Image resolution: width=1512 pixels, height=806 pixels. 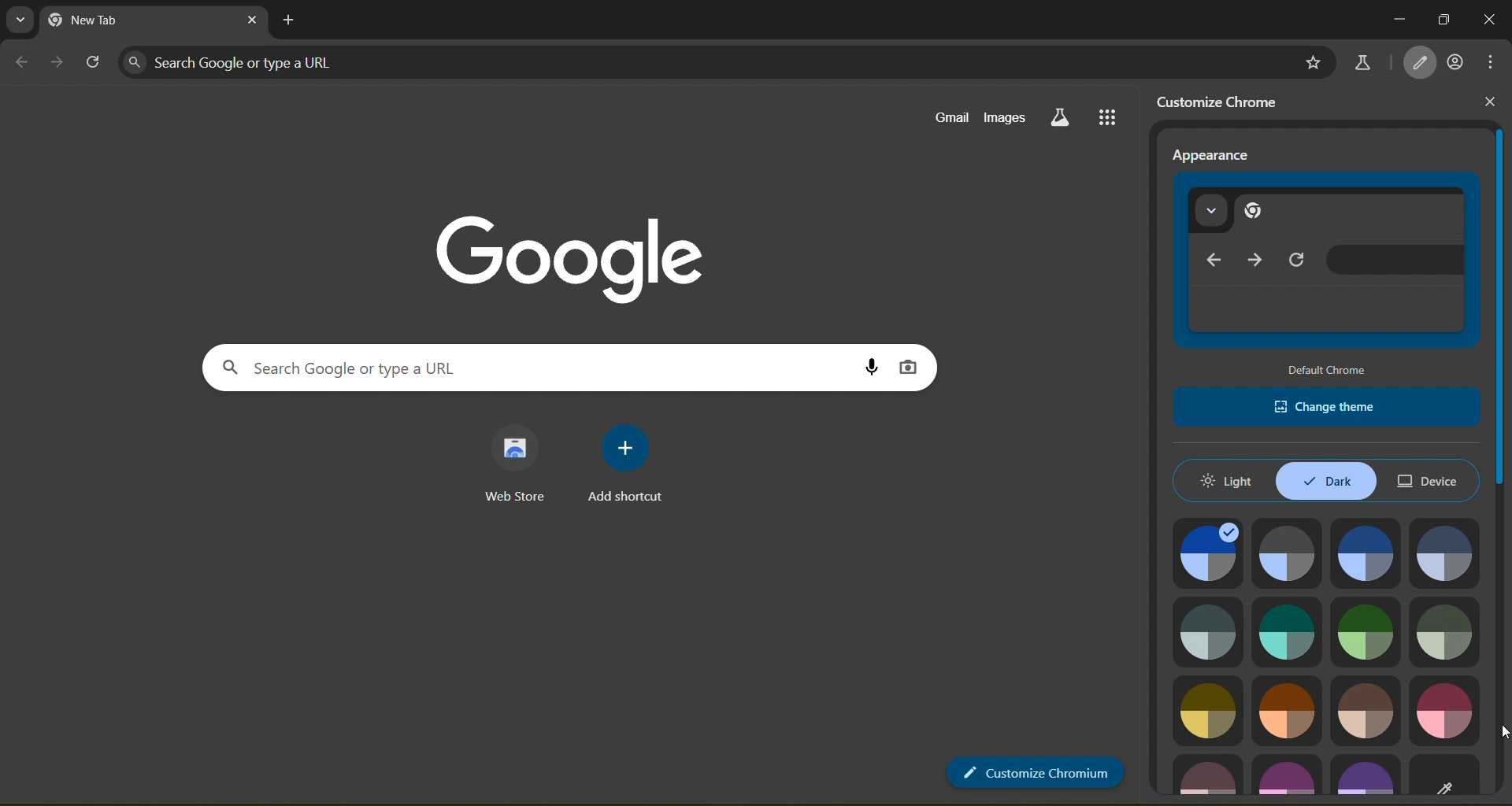 I want to click on customize chrome, so click(x=1036, y=773).